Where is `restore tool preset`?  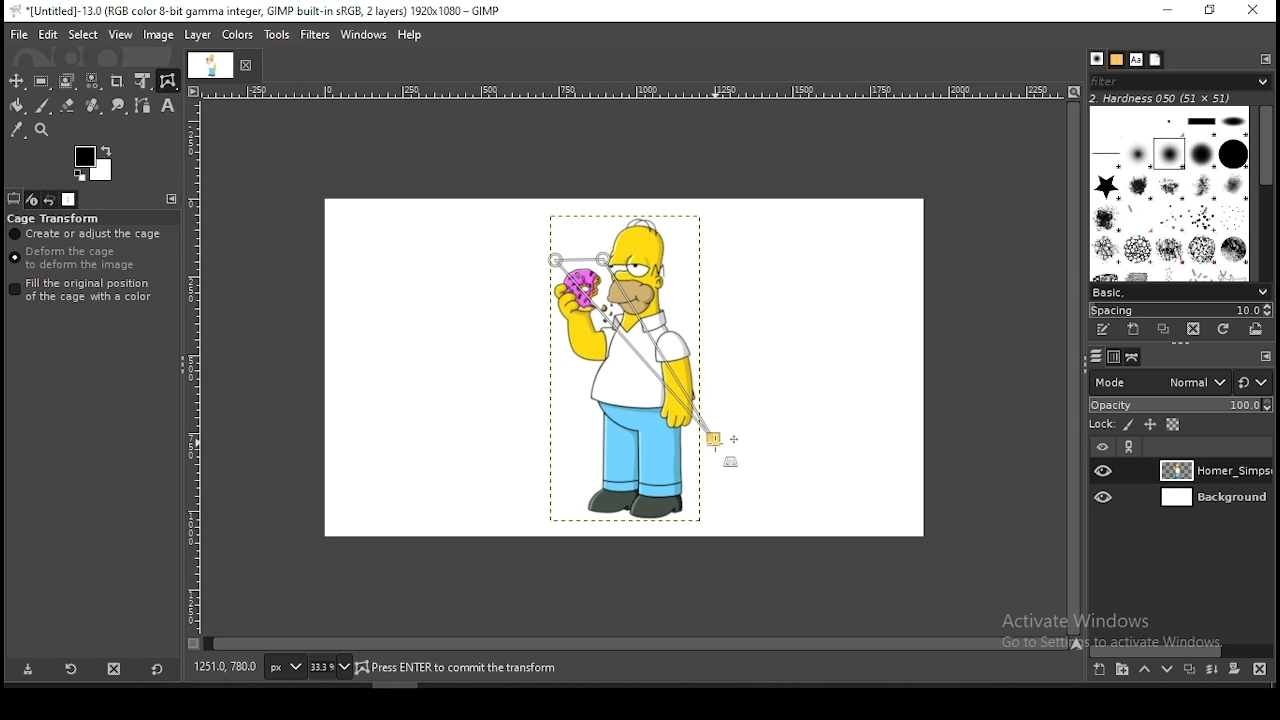 restore tool preset is located at coordinates (72, 670).